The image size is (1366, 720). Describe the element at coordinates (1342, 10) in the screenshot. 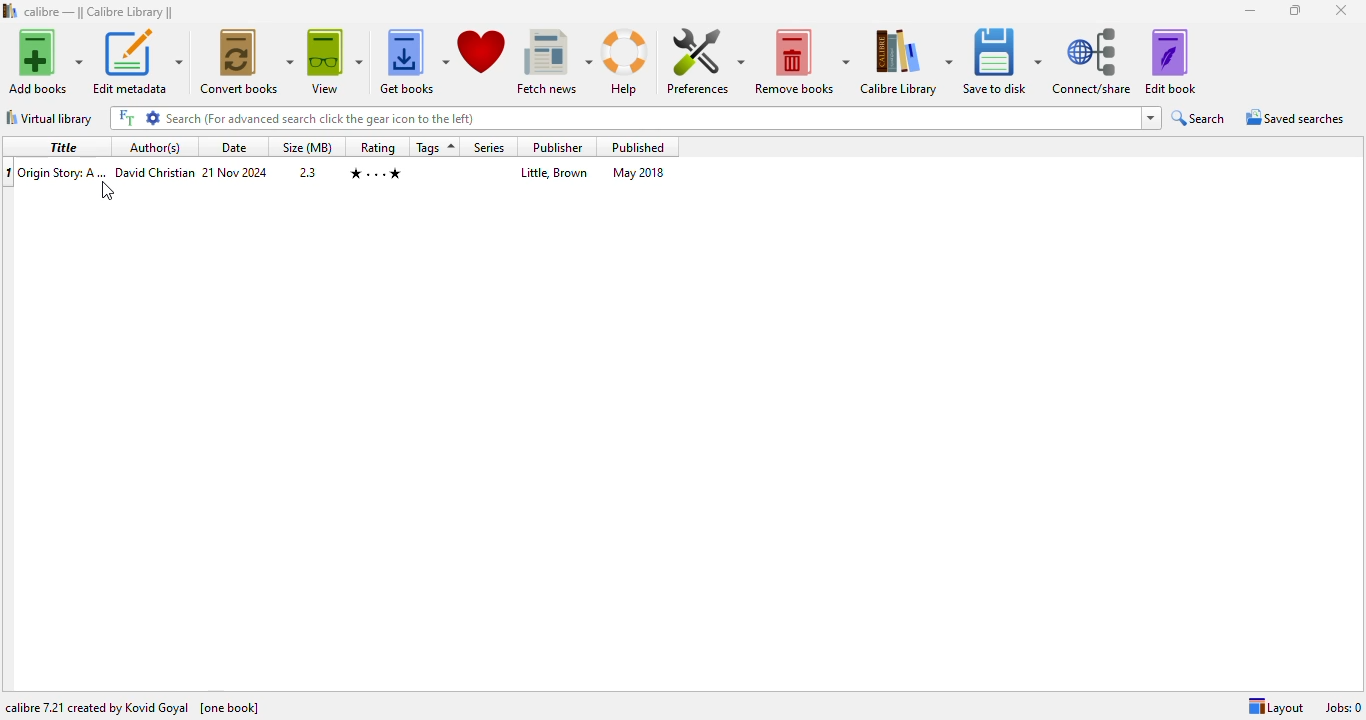

I see `close` at that location.